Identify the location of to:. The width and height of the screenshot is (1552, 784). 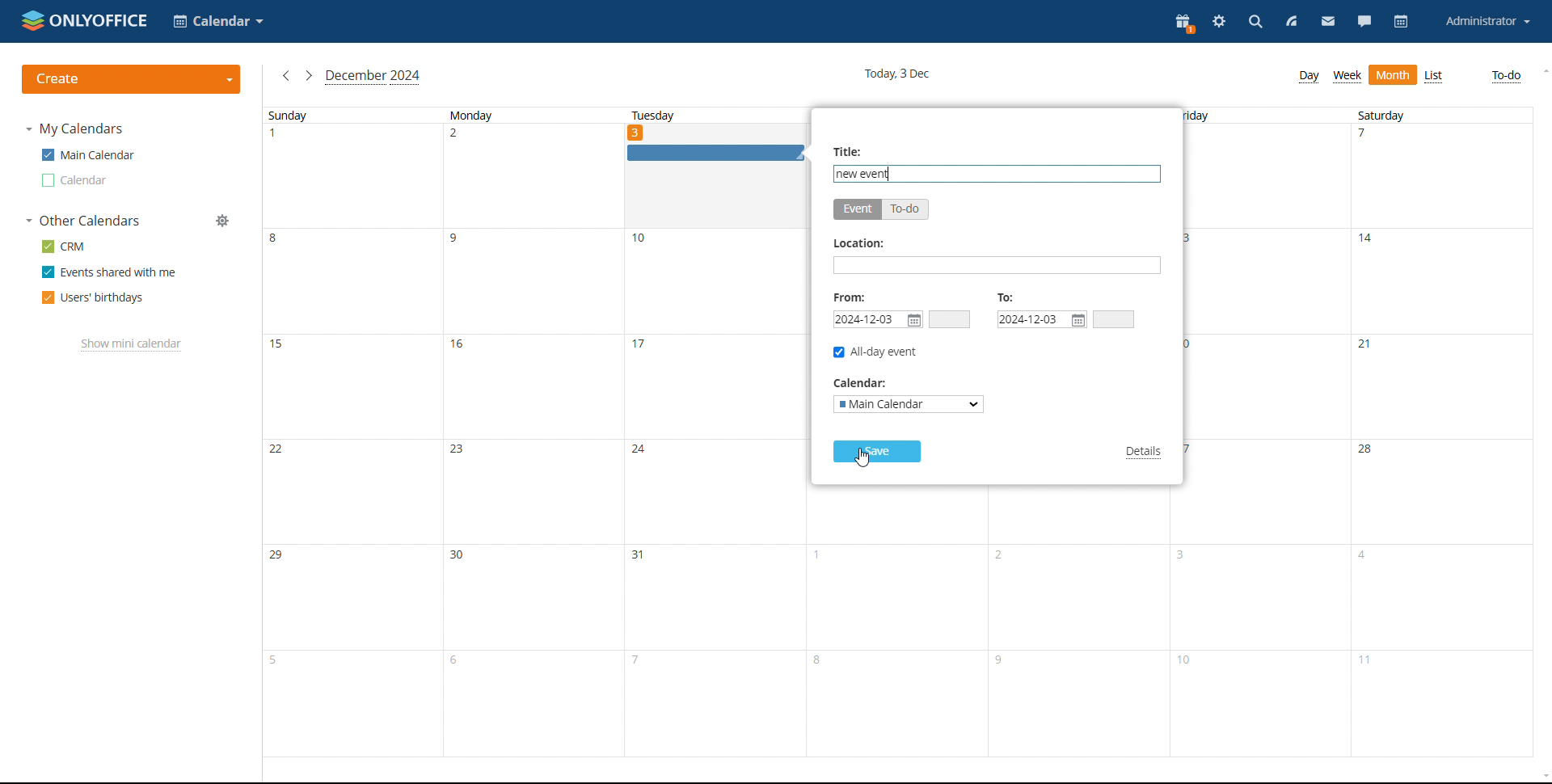
(1009, 298).